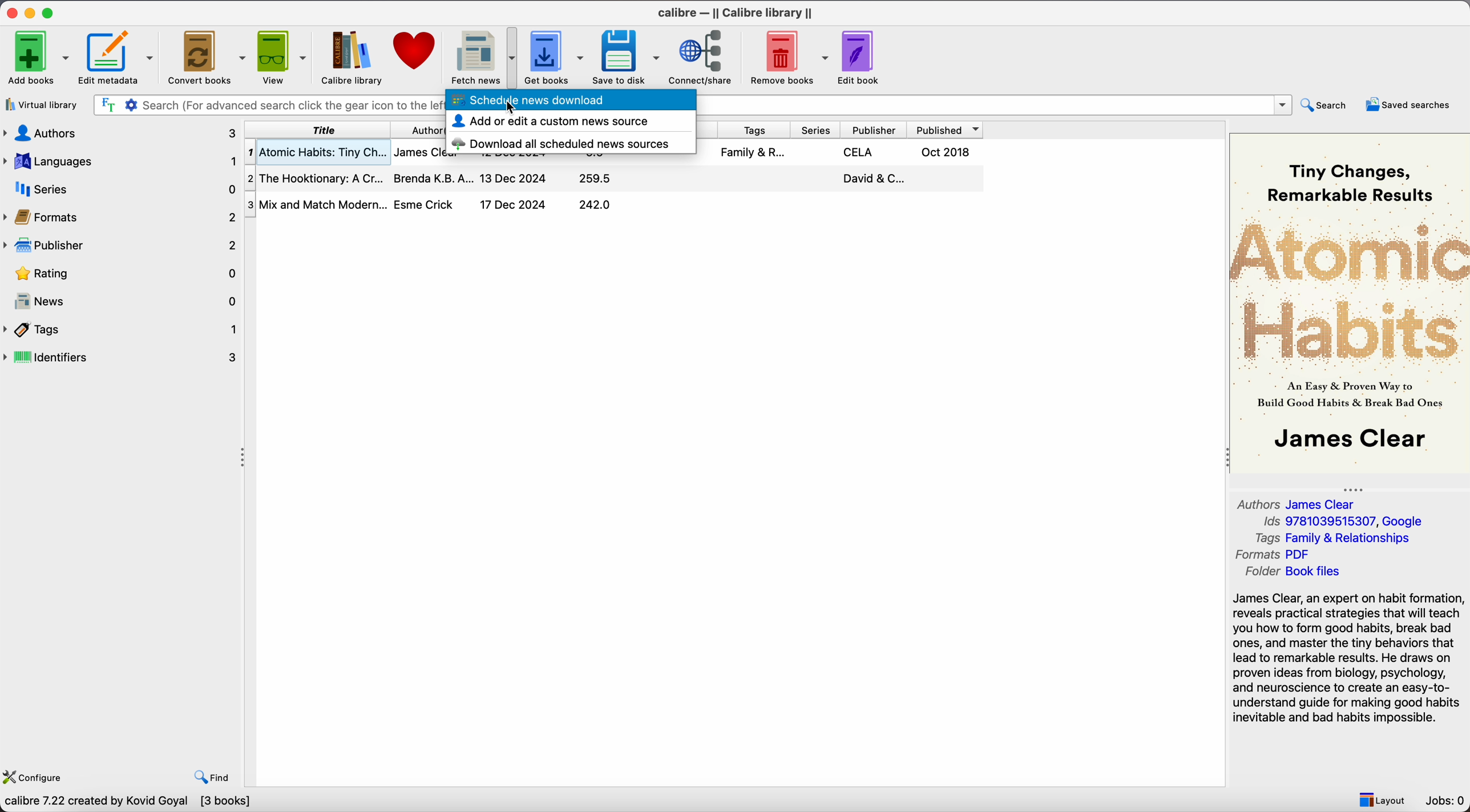 Image resolution: width=1470 pixels, height=812 pixels. I want to click on get books, so click(554, 58).